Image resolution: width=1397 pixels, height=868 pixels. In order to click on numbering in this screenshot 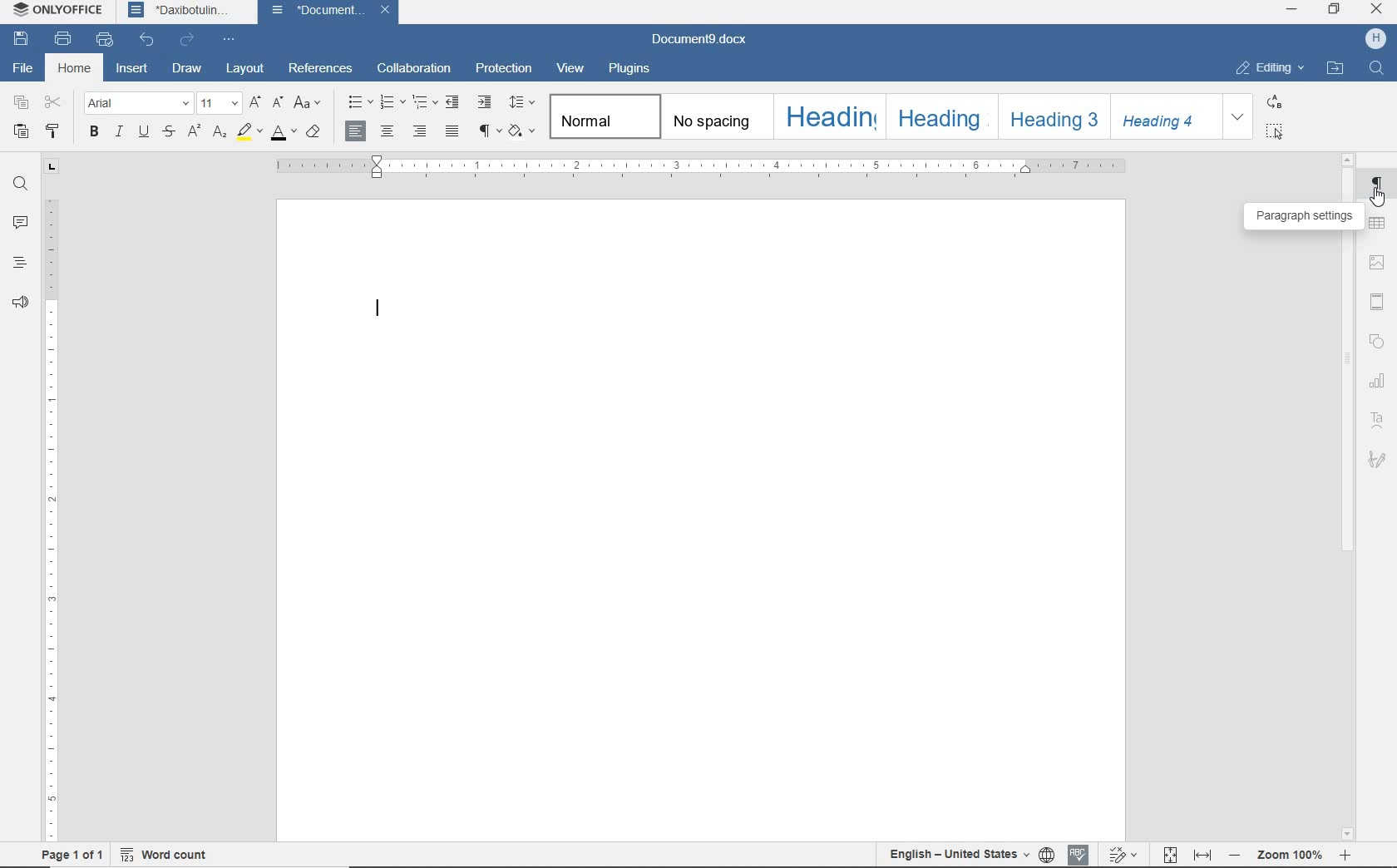, I will do `click(394, 103)`.